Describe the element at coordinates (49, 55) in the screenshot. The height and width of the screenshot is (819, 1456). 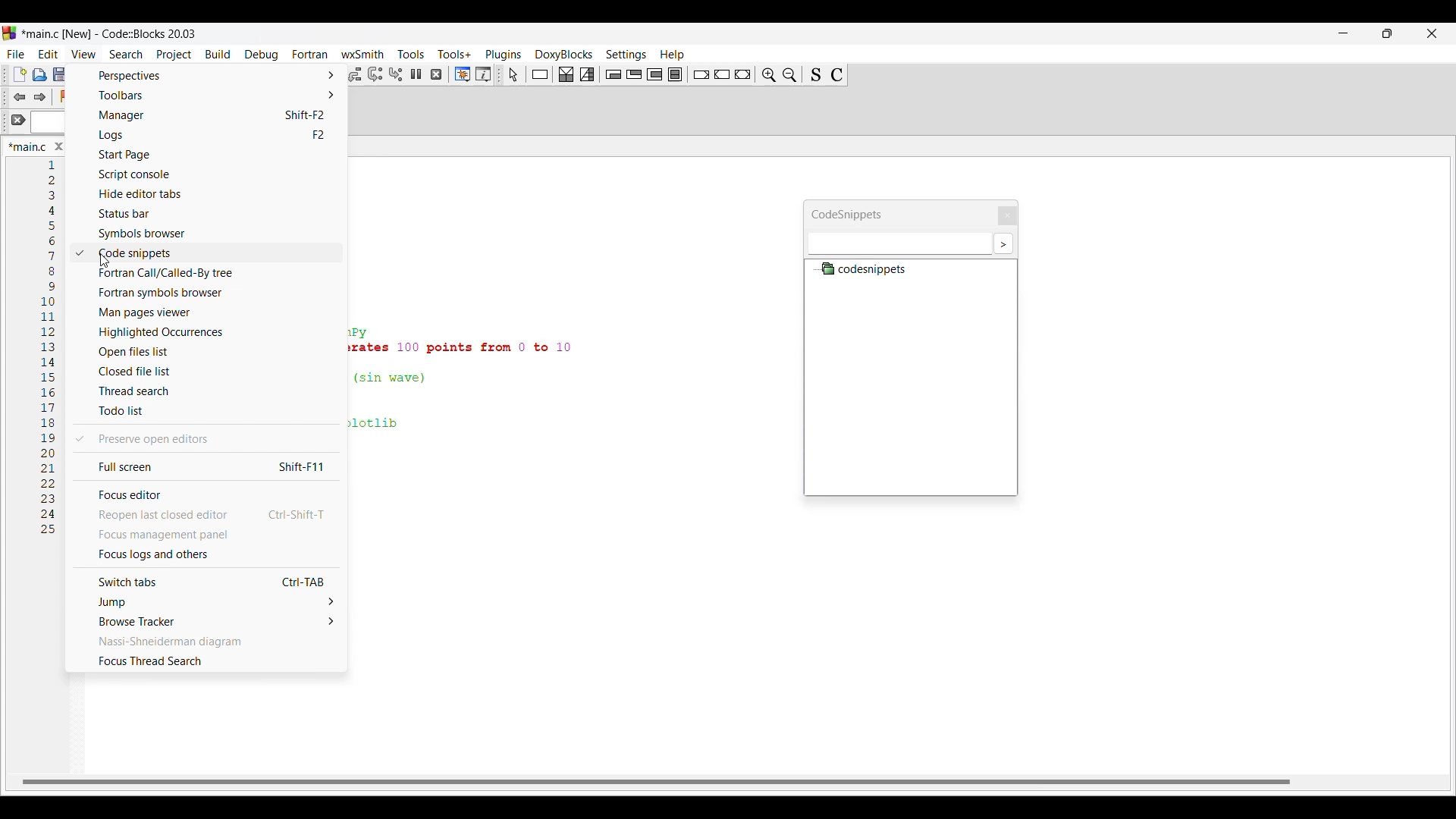
I see `Edit menu` at that location.